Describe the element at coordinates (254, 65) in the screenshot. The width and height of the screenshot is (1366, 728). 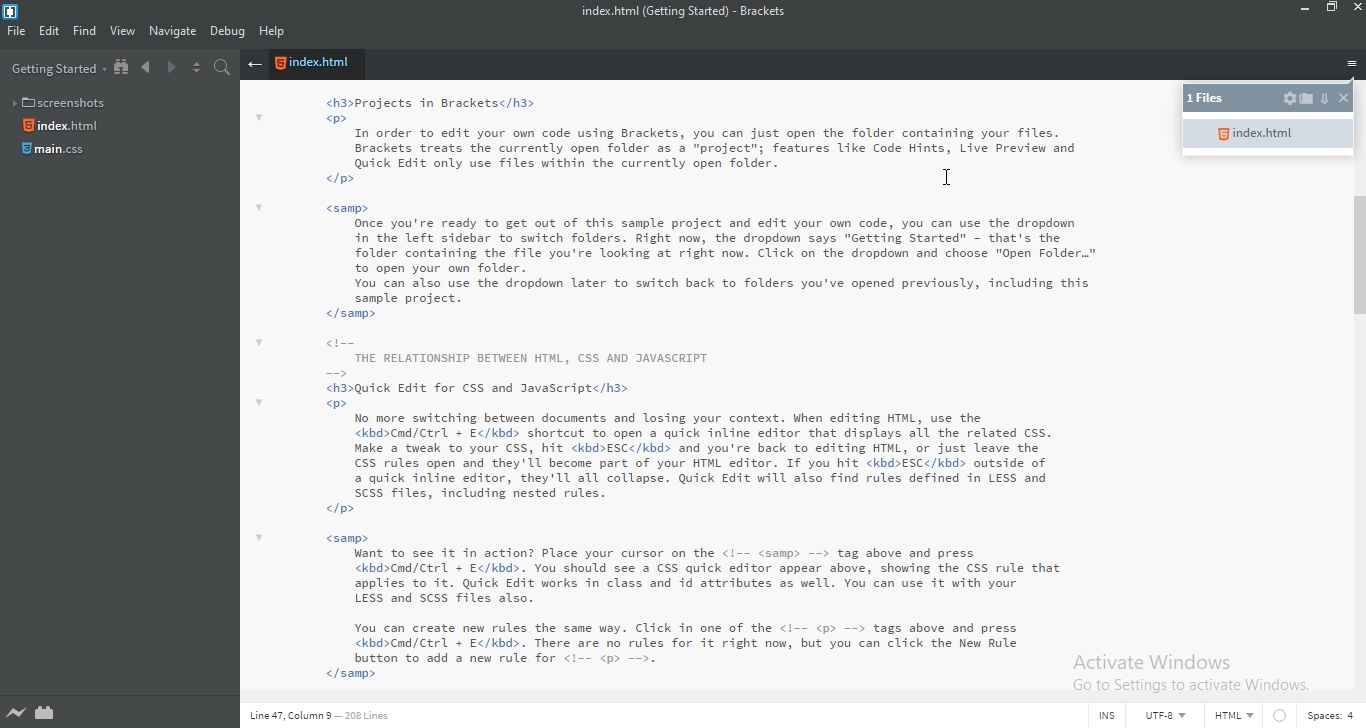
I see `close menu` at that location.